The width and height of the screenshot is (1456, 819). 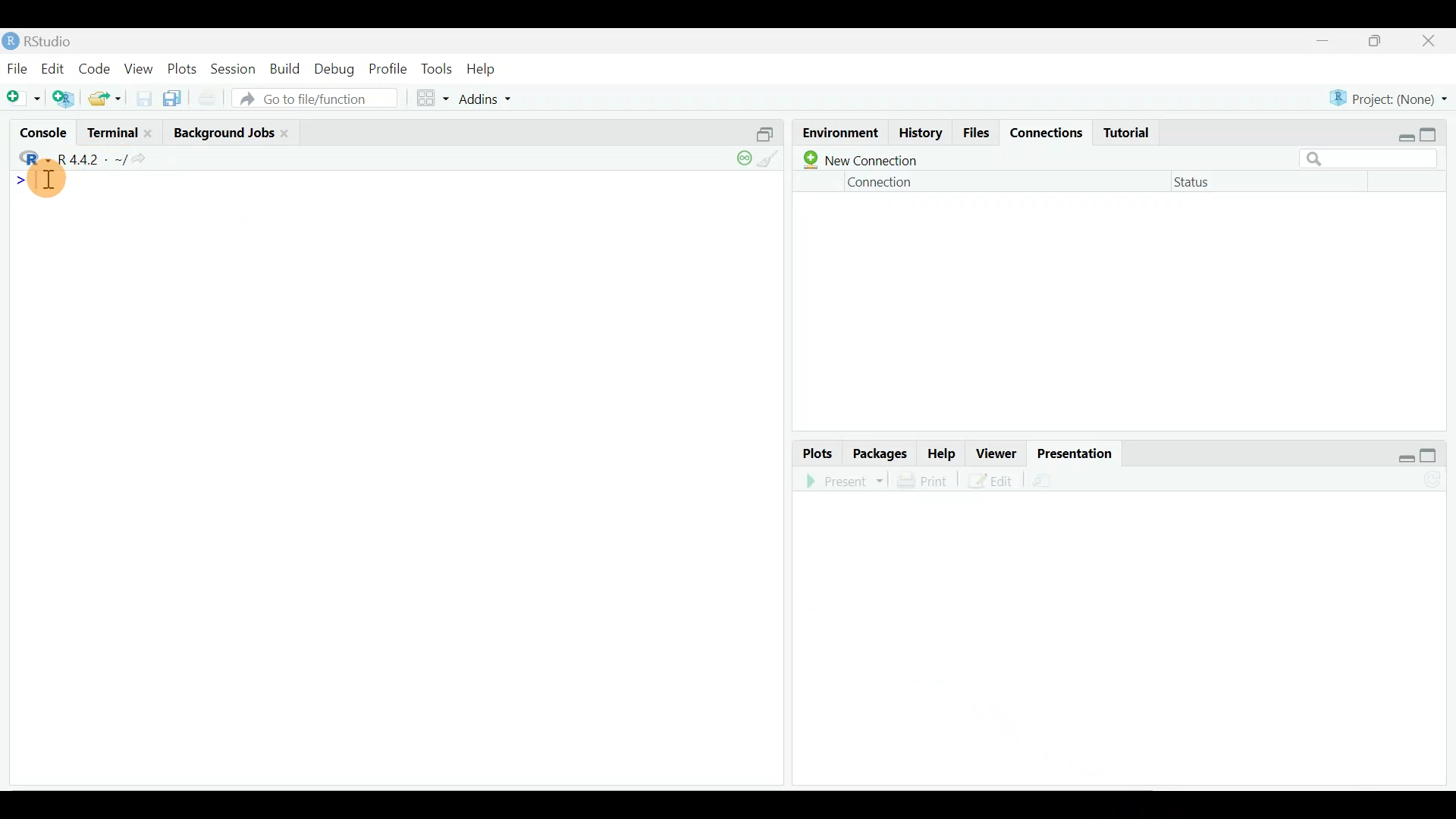 What do you see at coordinates (974, 131) in the screenshot?
I see `Files` at bounding box center [974, 131].